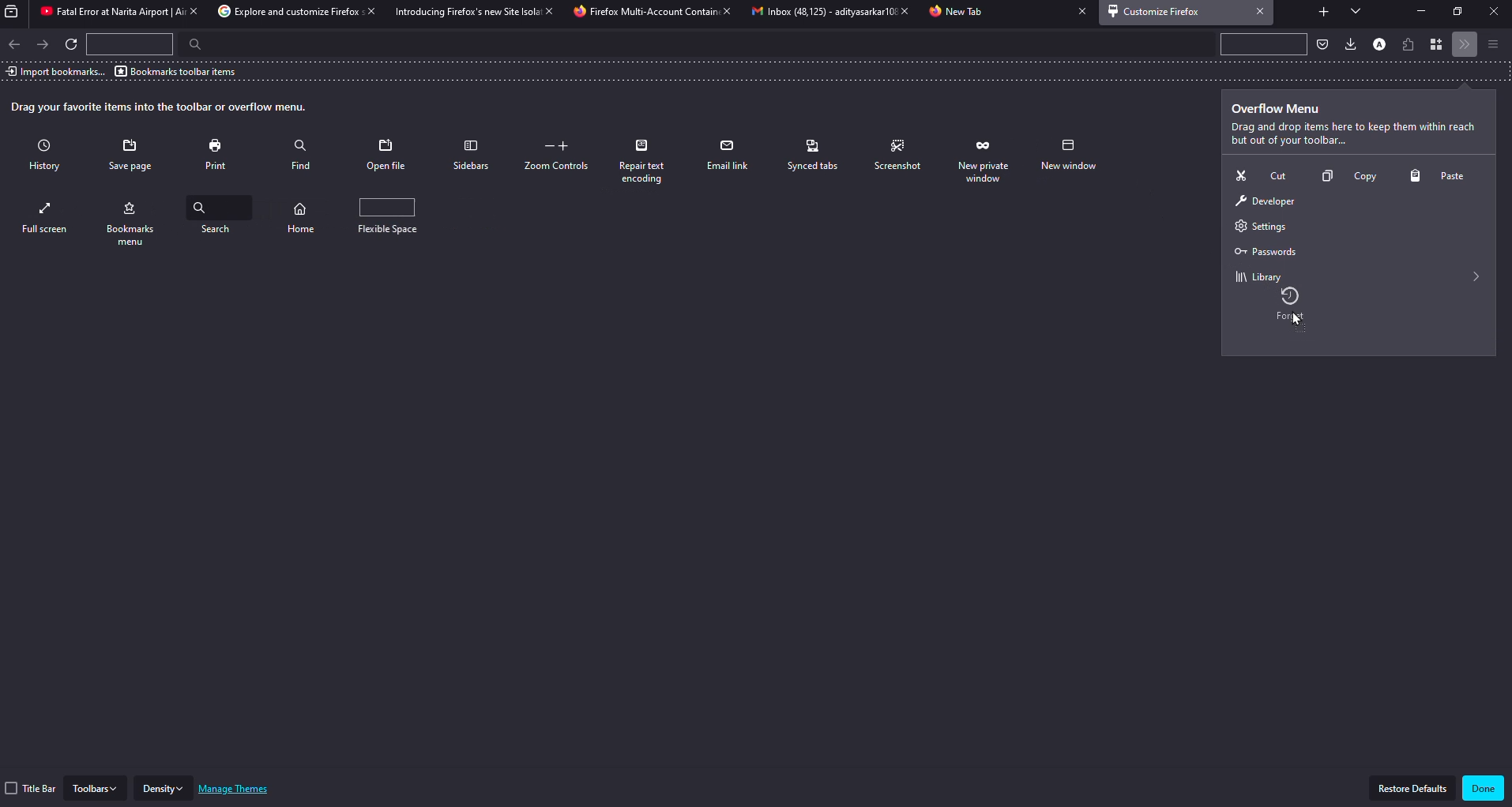  Describe the element at coordinates (984, 160) in the screenshot. I see `forget` at that location.